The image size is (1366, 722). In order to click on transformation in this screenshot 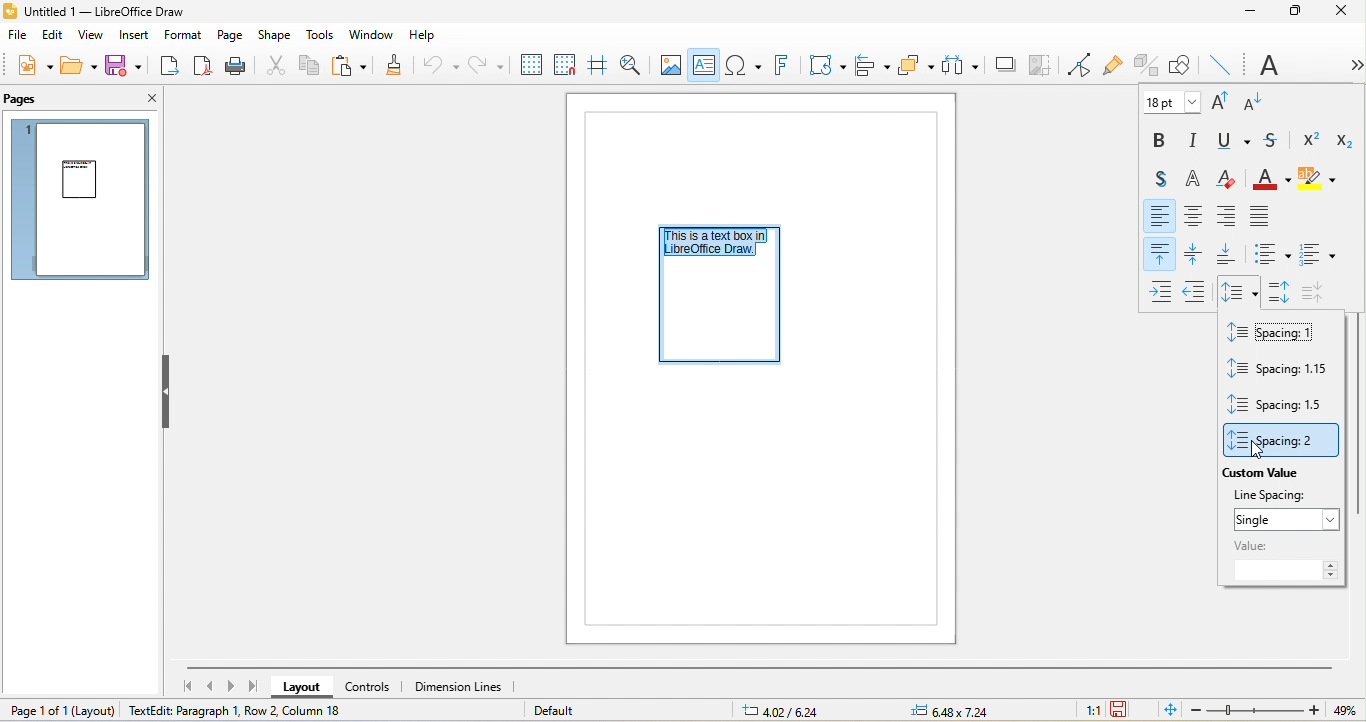, I will do `click(822, 67)`.